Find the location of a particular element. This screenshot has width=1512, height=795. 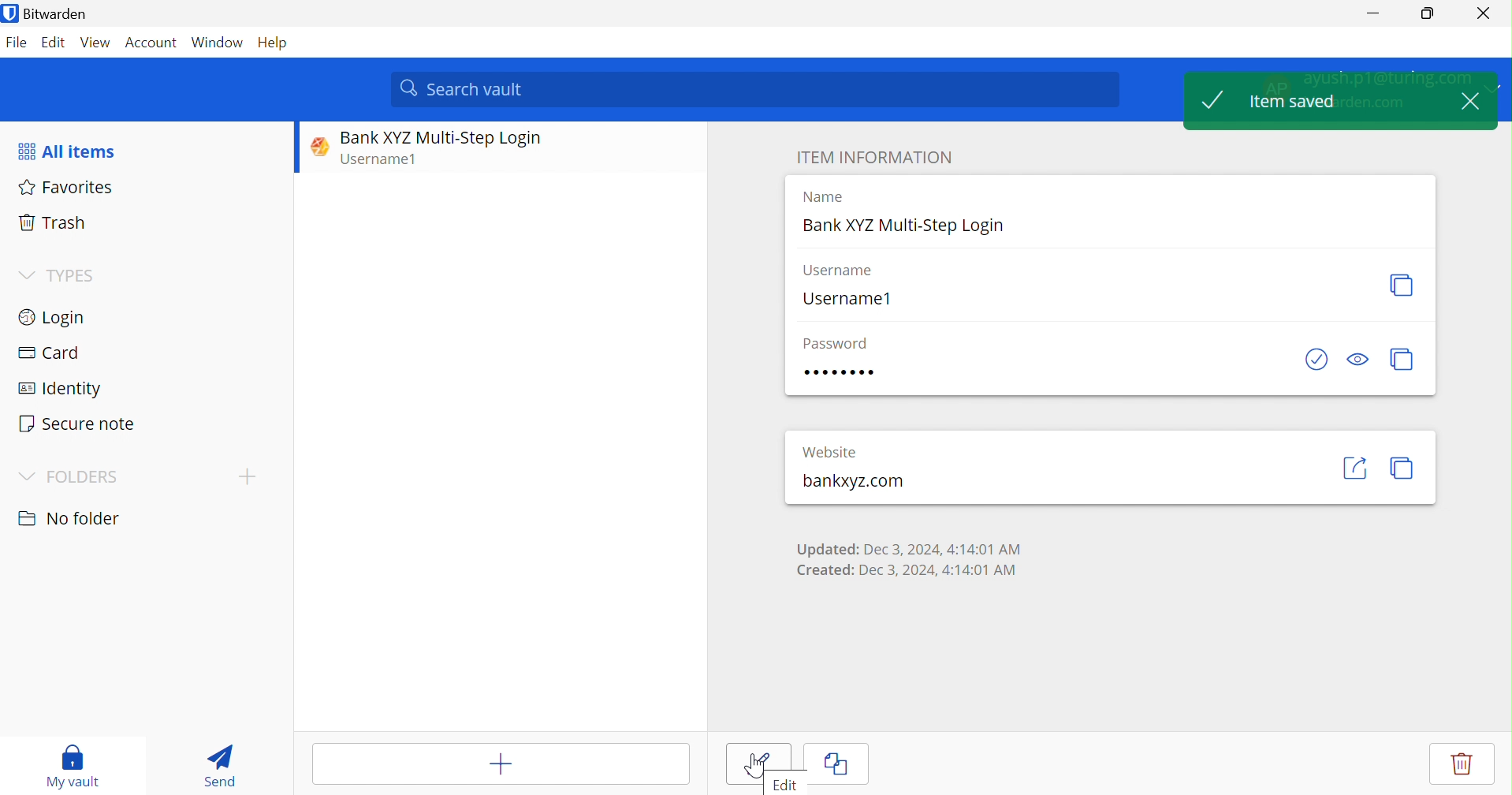

Minimize is located at coordinates (1371, 15).